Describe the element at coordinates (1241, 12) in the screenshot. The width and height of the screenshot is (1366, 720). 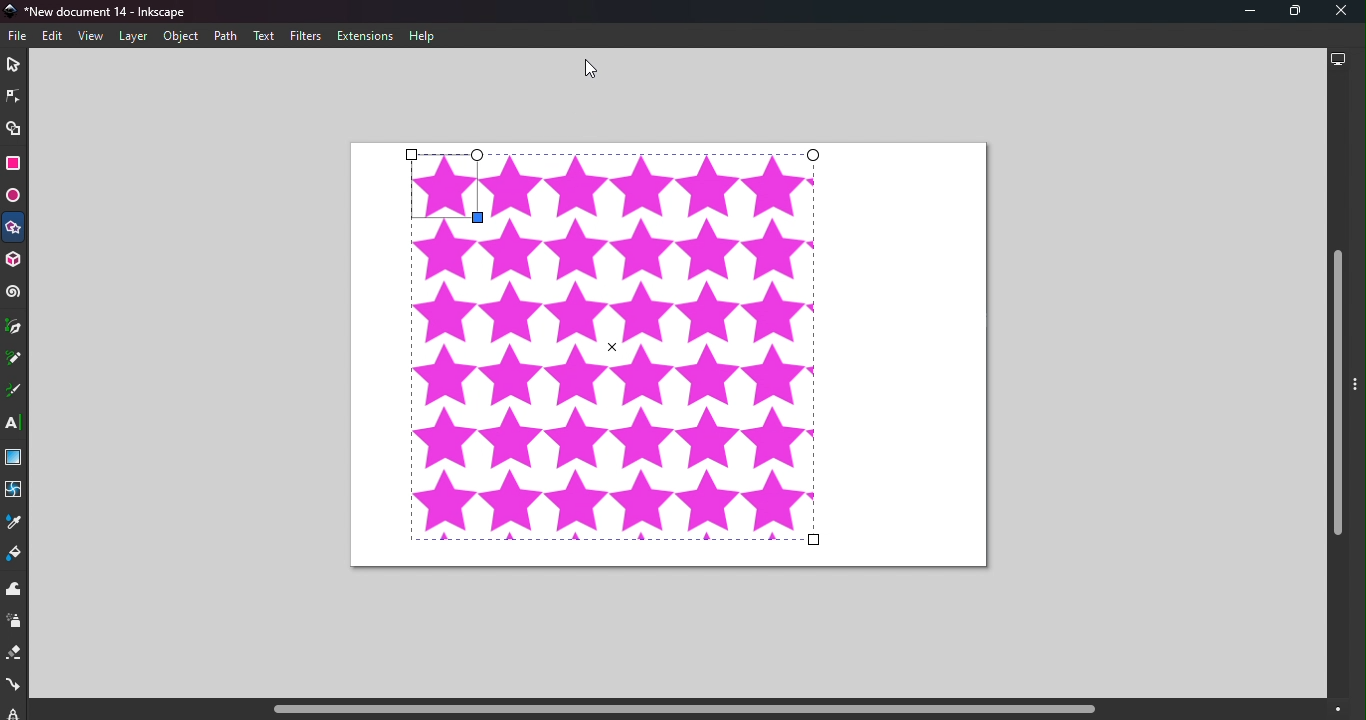
I see `Minimize ` at that location.